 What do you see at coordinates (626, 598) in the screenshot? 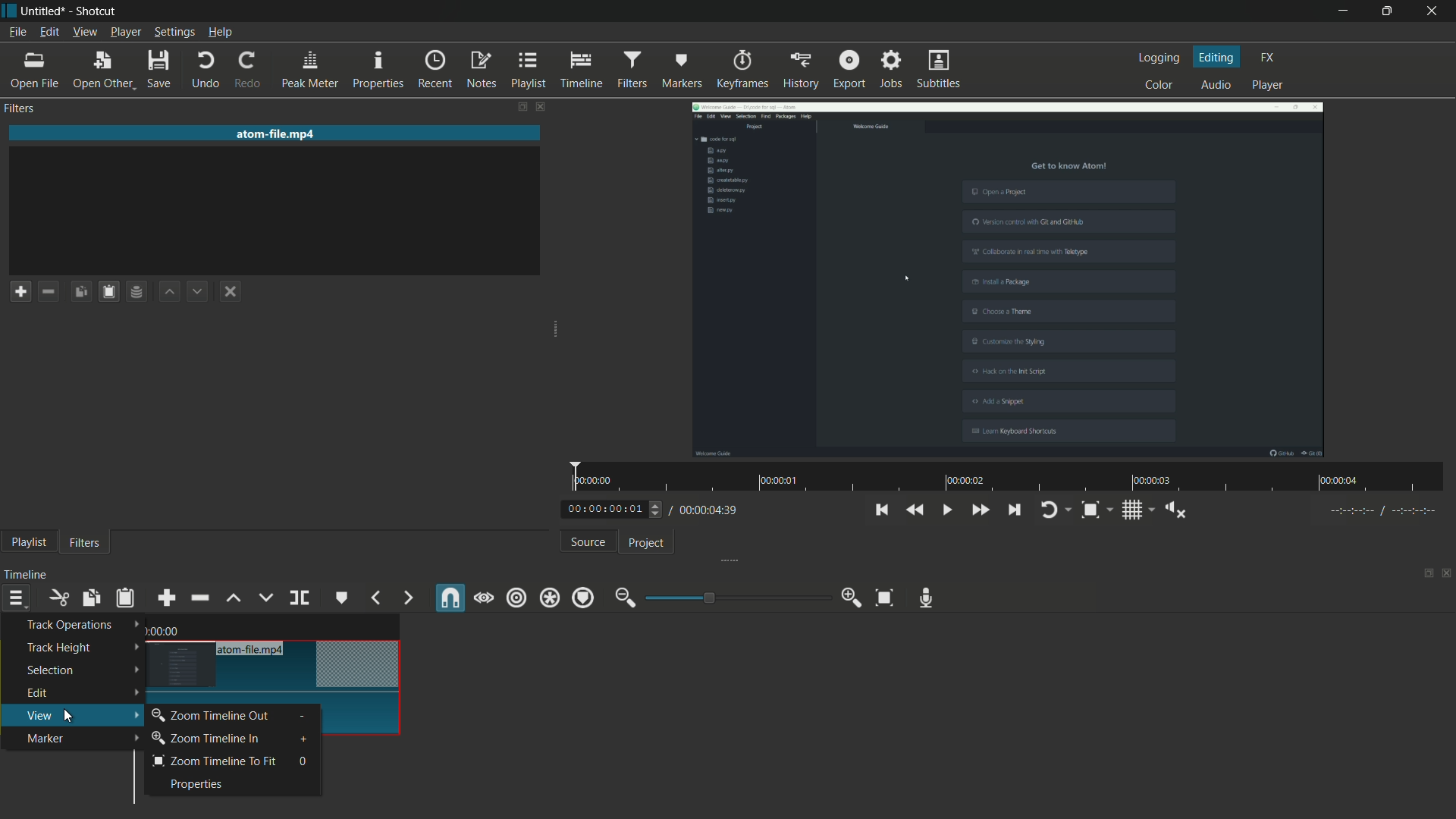
I see `zoom out` at bounding box center [626, 598].